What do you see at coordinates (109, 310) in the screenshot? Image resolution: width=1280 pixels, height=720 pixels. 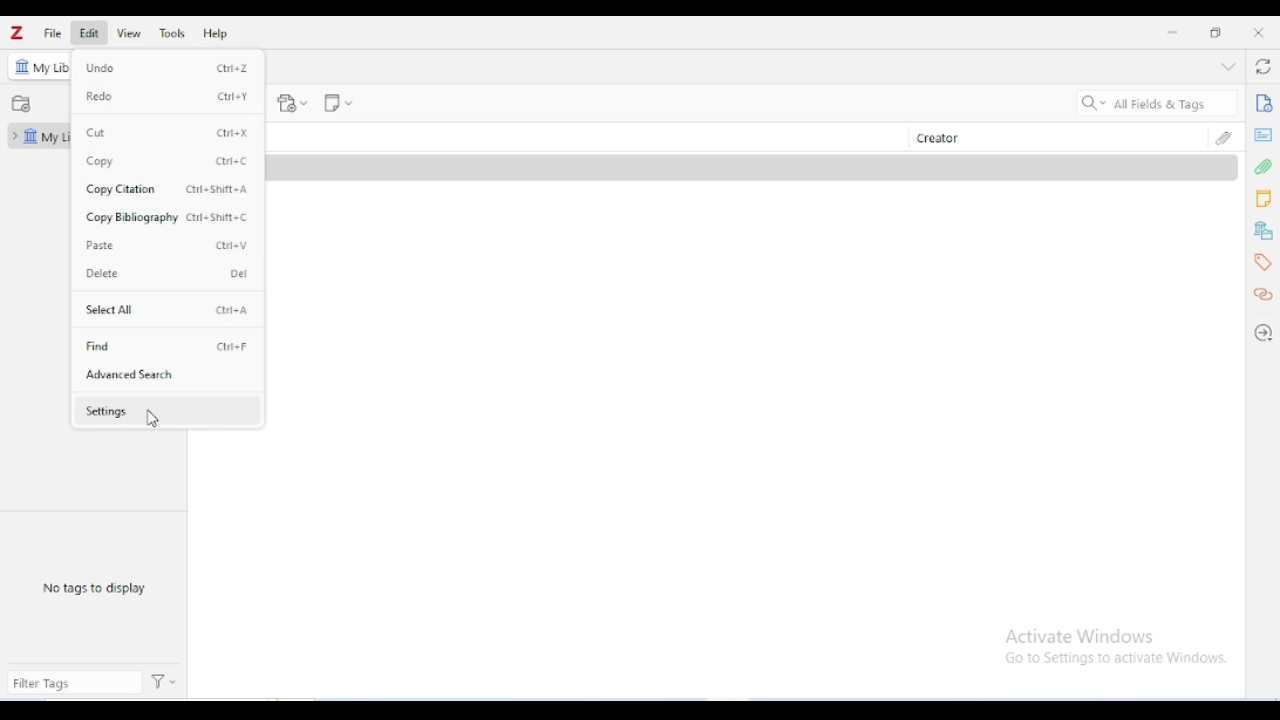 I see `select all` at bounding box center [109, 310].